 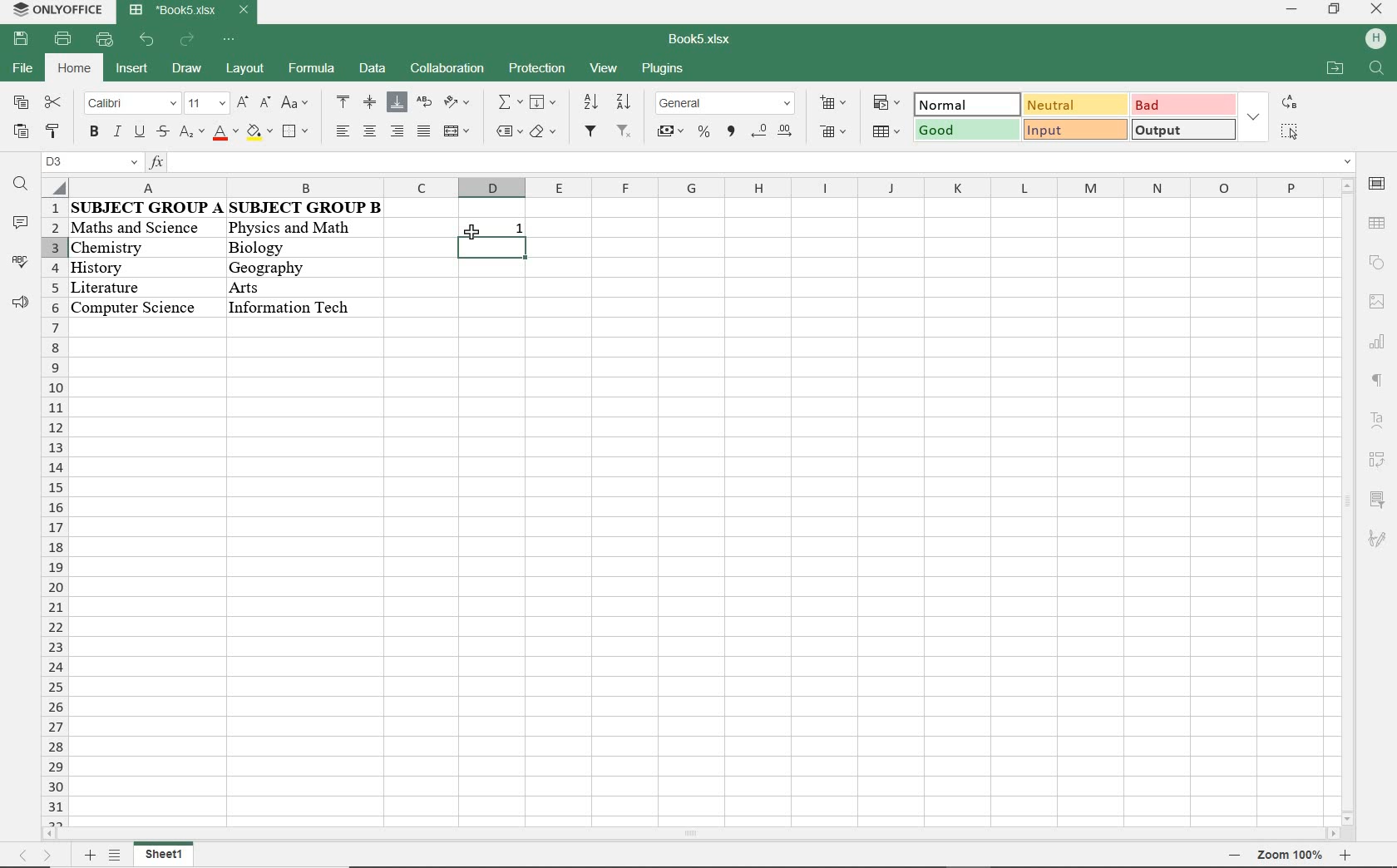 I want to click on geography, so click(x=284, y=267).